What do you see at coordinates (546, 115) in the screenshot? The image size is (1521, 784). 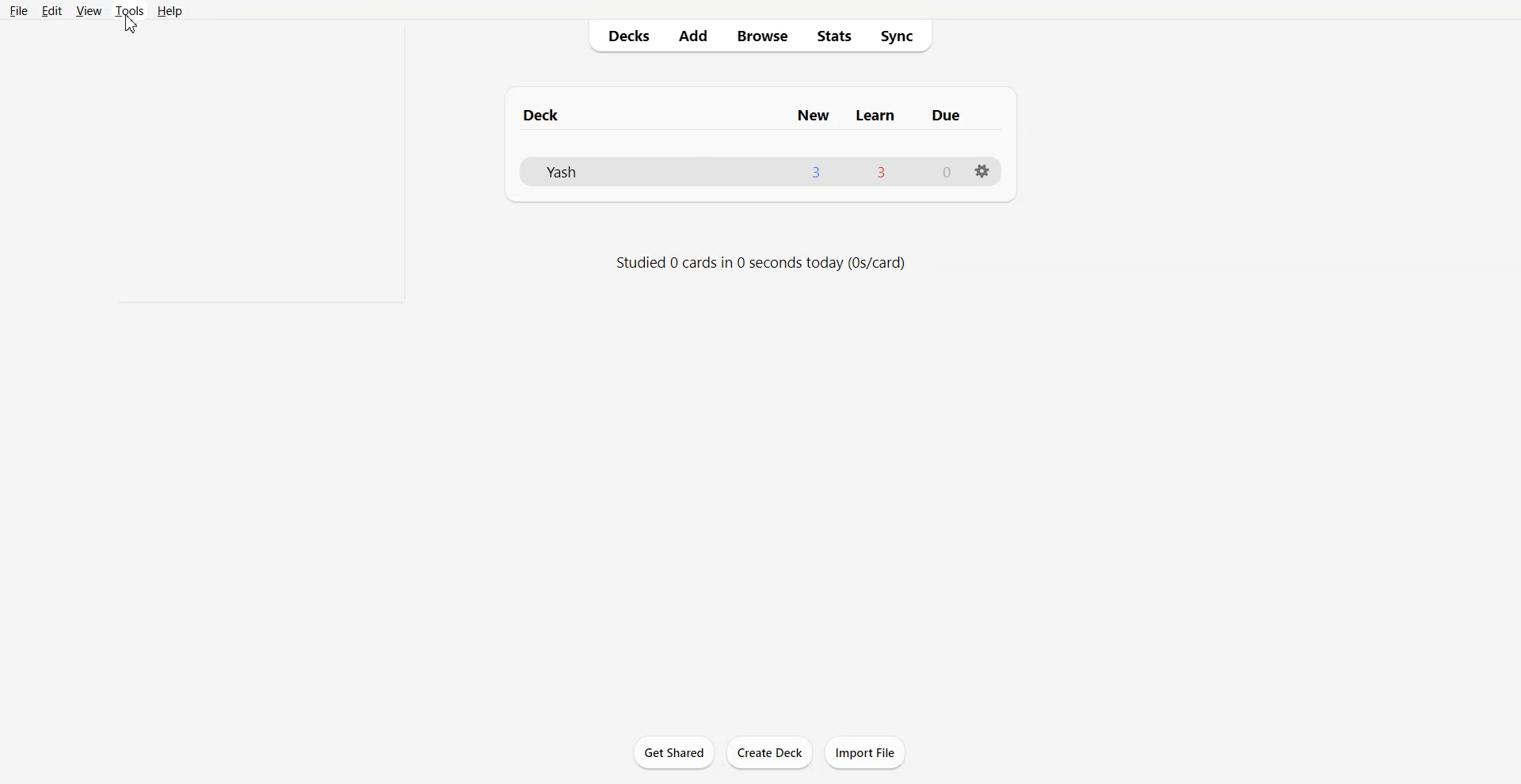 I see `Text 1` at bounding box center [546, 115].